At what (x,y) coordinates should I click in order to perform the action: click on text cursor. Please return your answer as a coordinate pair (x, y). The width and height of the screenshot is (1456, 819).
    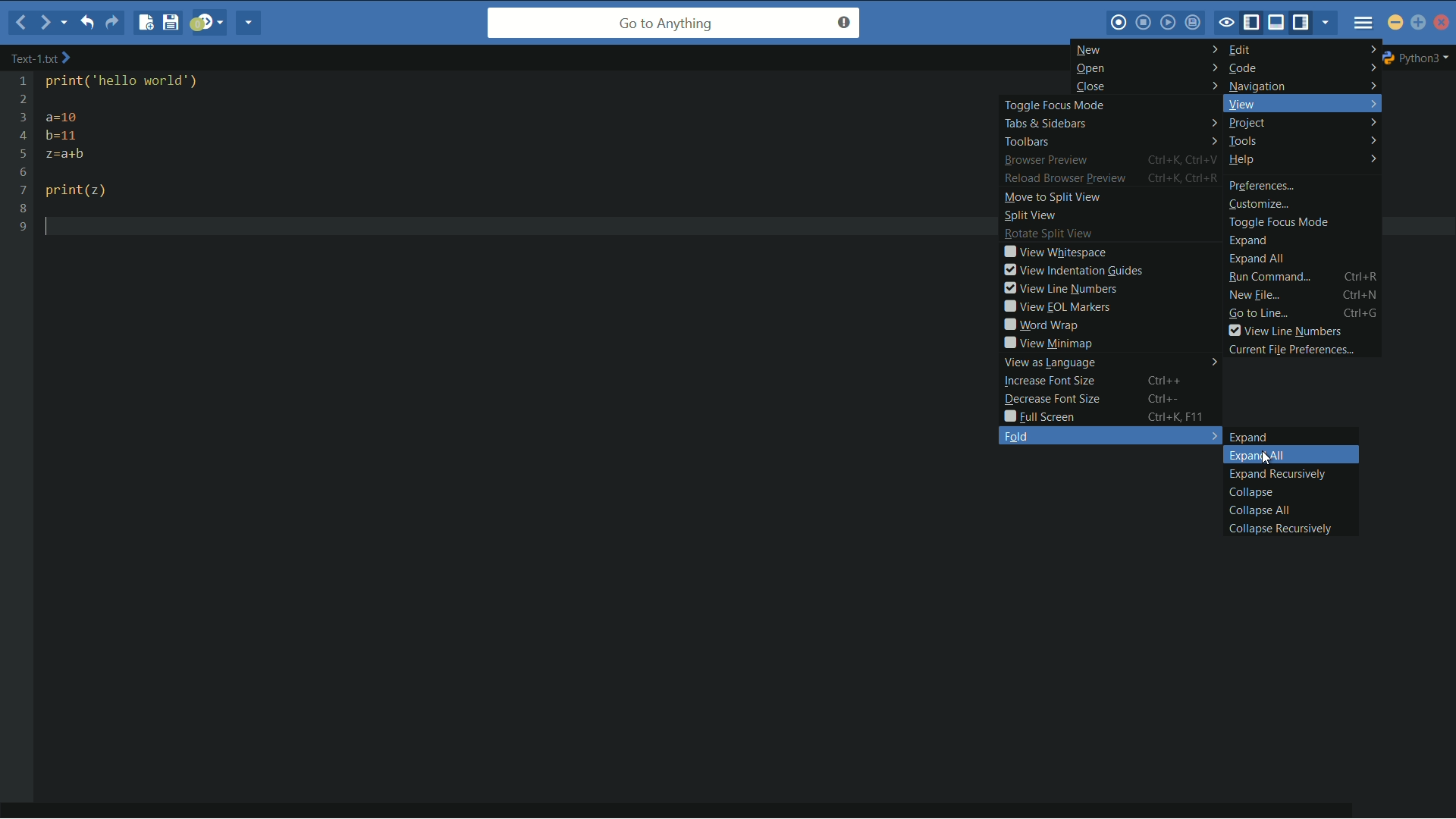
    Looking at the image, I should click on (56, 226).